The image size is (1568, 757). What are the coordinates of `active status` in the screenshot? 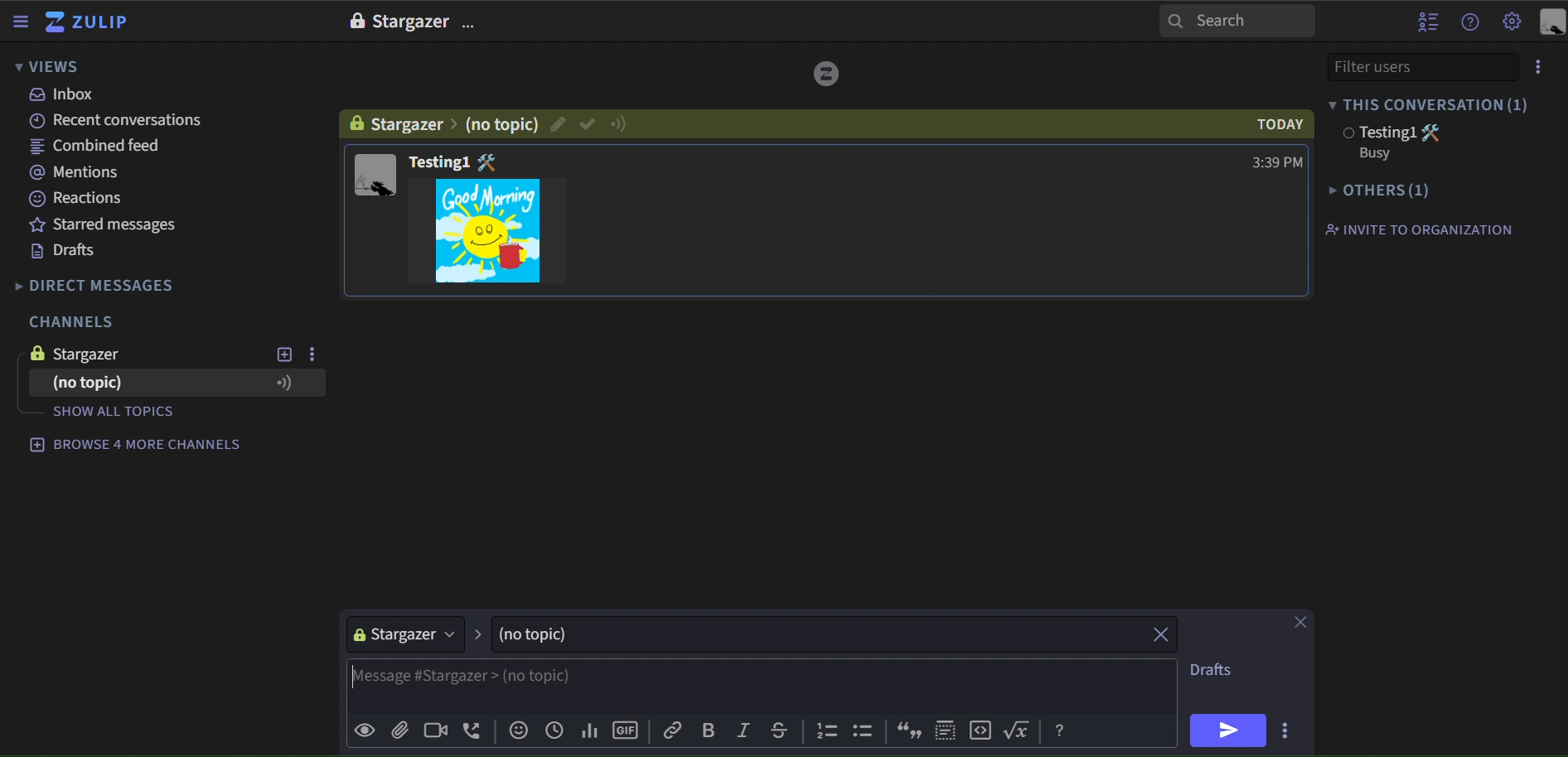 It's located at (621, 123).